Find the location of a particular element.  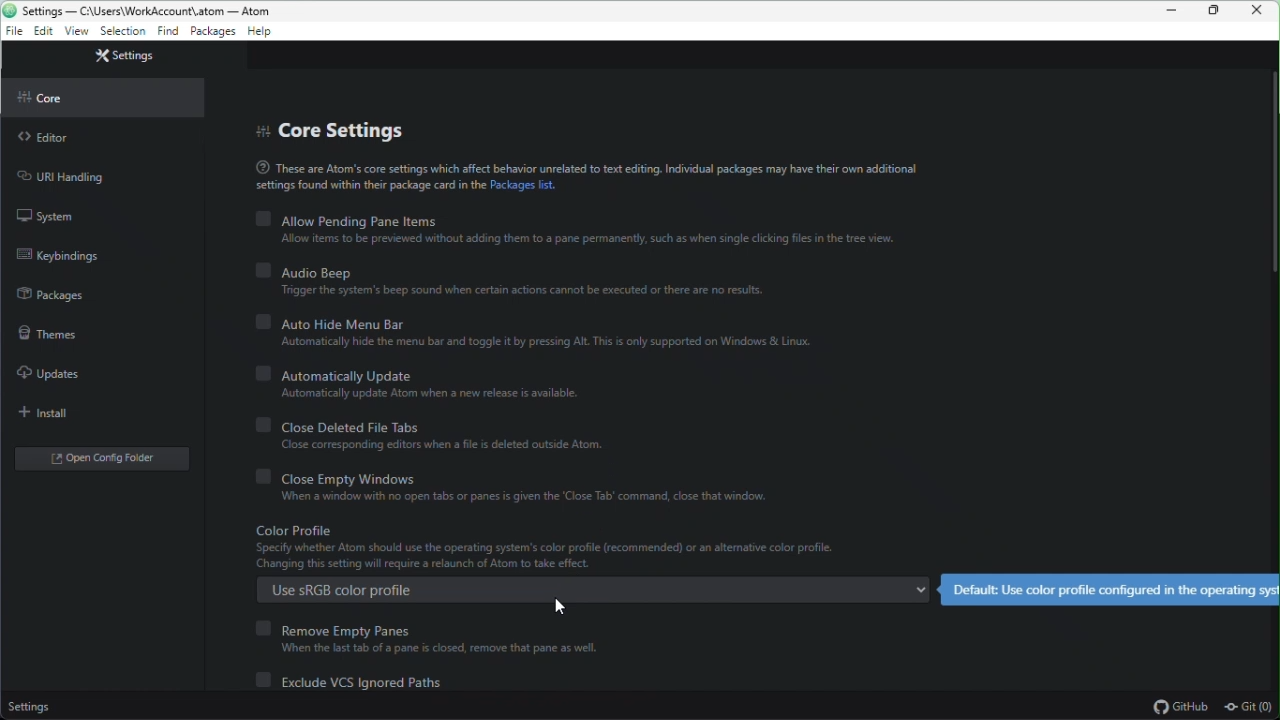

Allow pending Pane items is located at coordinates (581, 229).